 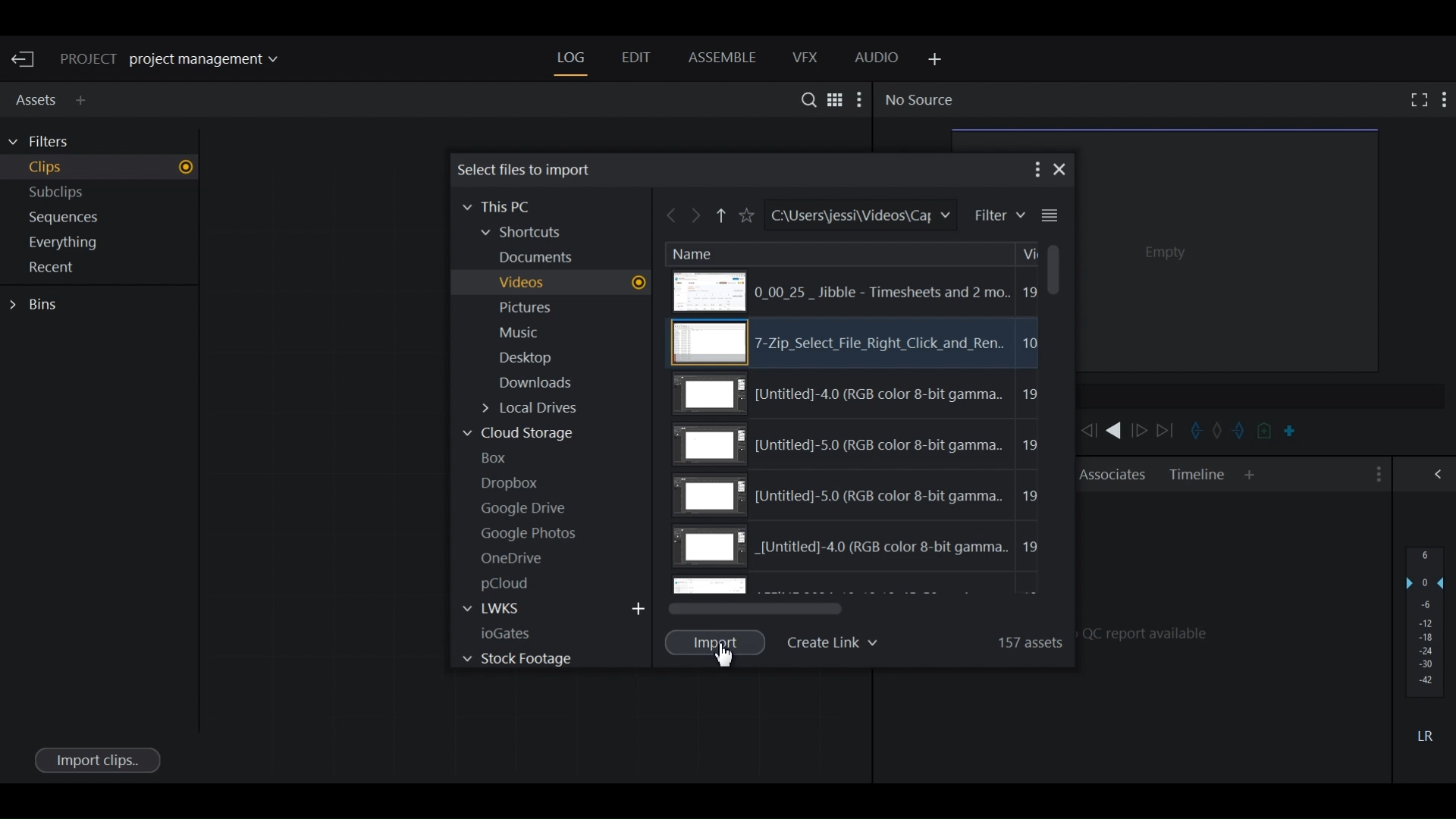 What do you see at coordinates (698, 218) in the screenshot?
I see `Click to go forward` at bounding box center [698, 218].